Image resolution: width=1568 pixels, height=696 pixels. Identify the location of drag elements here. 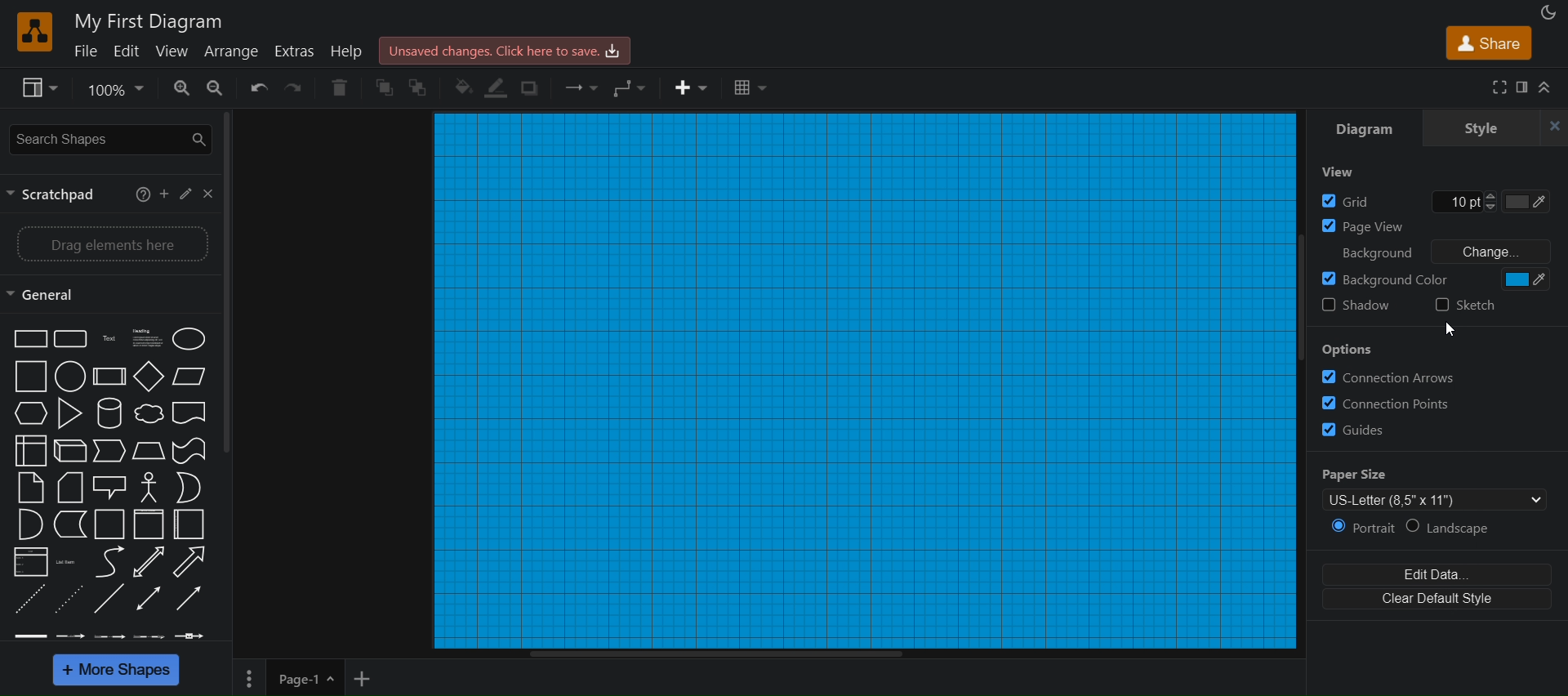
(111, 243).